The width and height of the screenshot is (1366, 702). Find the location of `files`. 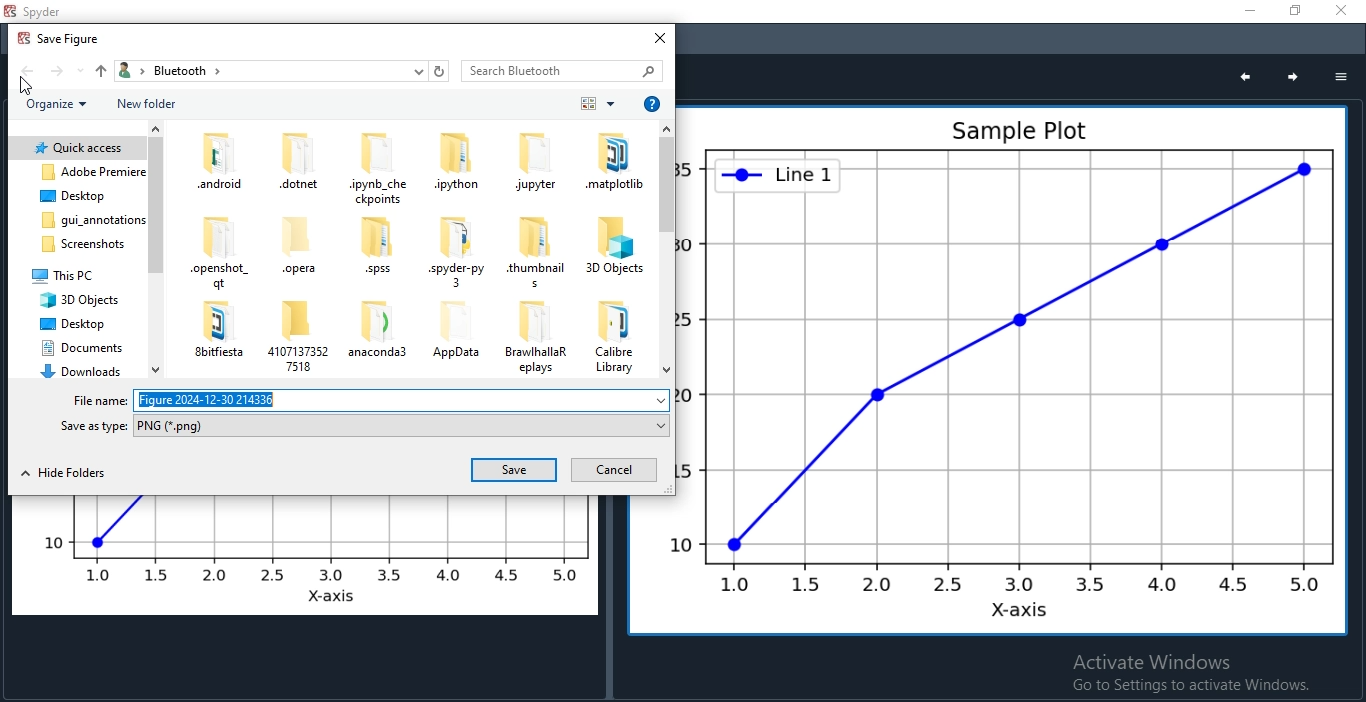

files is located at coordinates (219, 160).